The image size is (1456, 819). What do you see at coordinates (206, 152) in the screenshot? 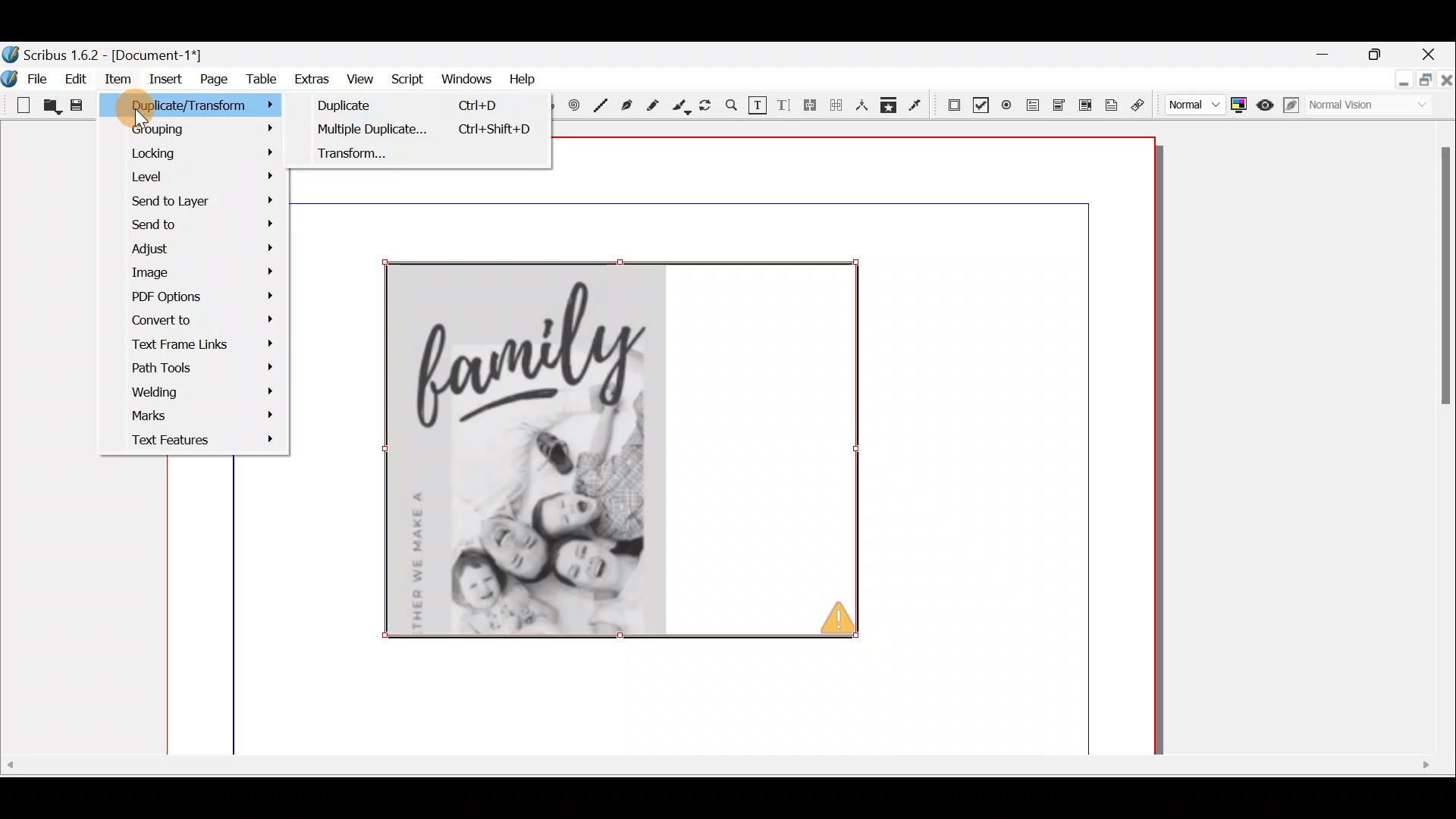
I see `Locking` at bounding box center [206, 152].